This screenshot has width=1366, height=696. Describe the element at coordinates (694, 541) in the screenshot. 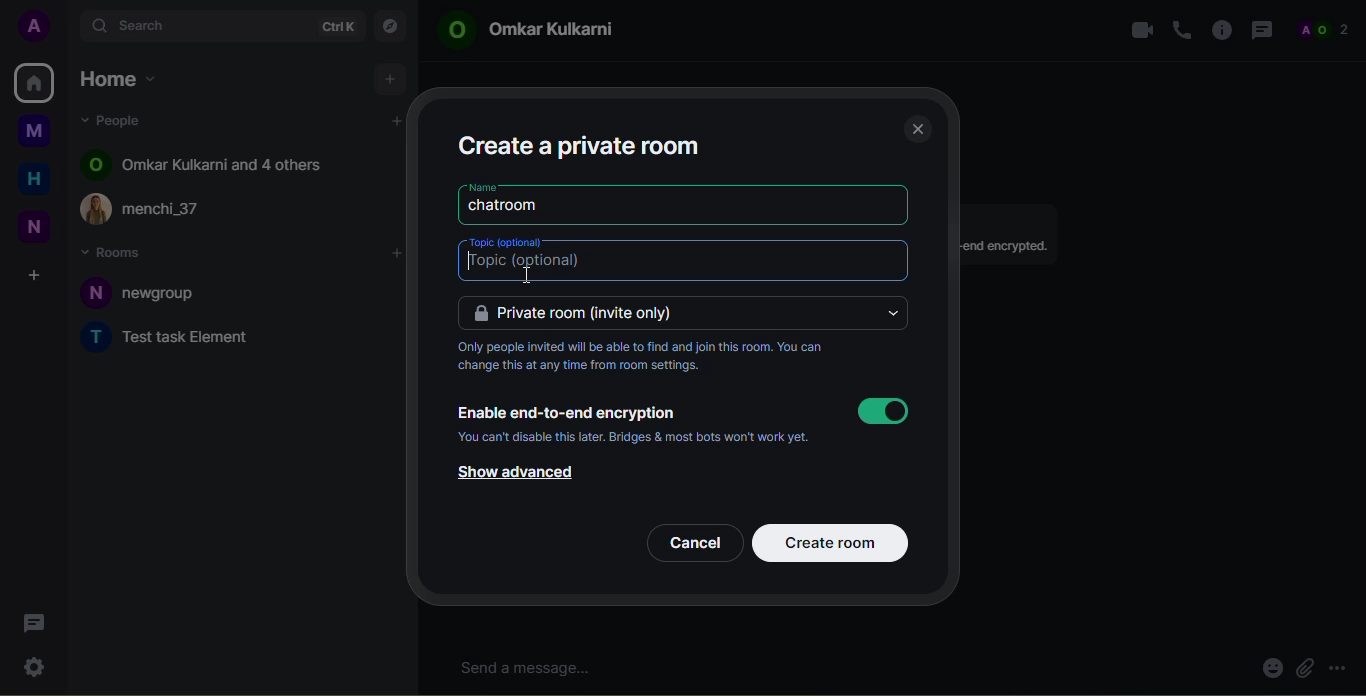

I see `cancel` at that location.